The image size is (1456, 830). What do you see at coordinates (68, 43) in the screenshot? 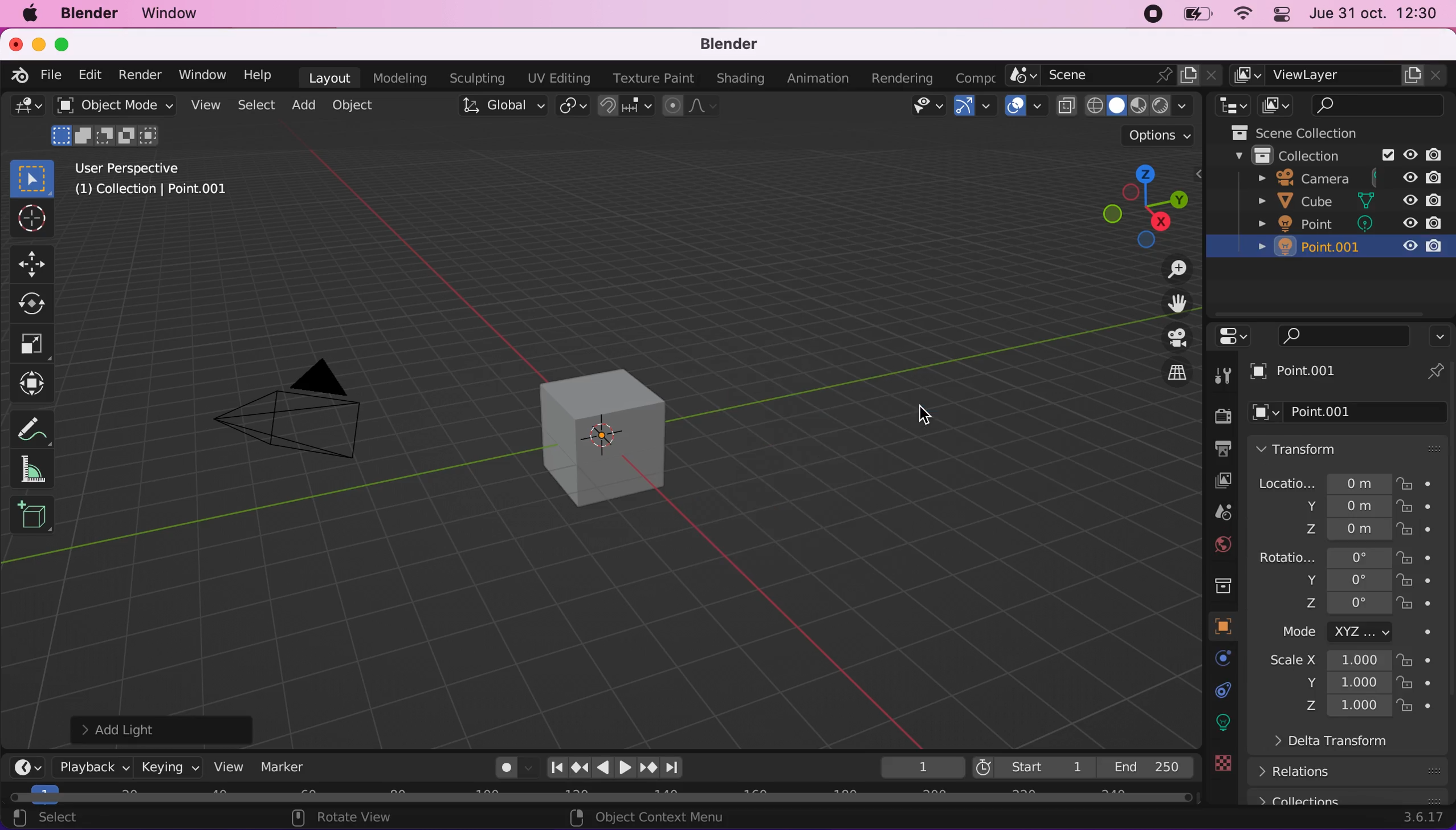
I see `maximize` at bounding box center [68, 43].